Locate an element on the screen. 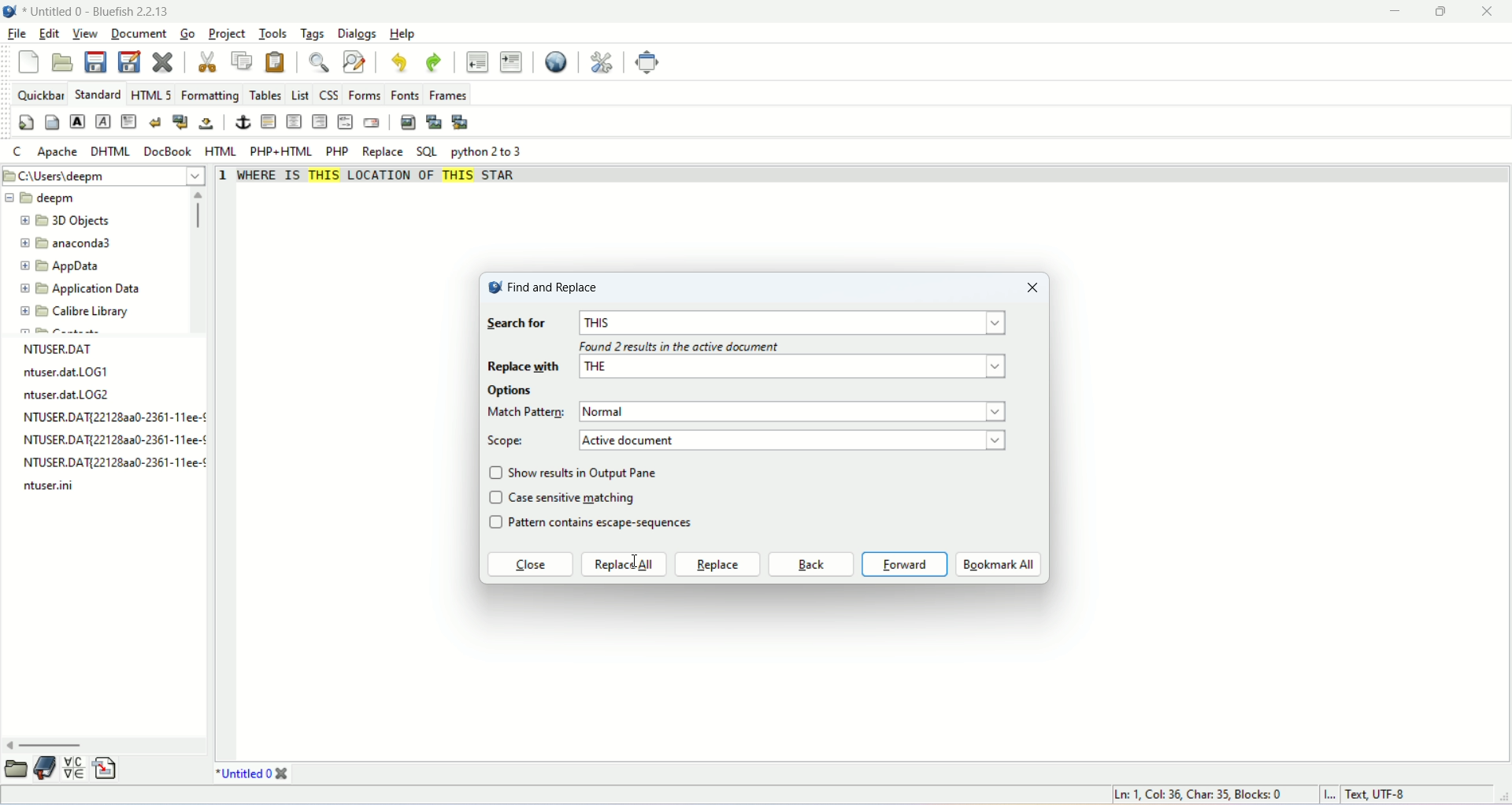 The height and width of the screenshot is (805, 1512). edit is located at coordinates (48, 35).